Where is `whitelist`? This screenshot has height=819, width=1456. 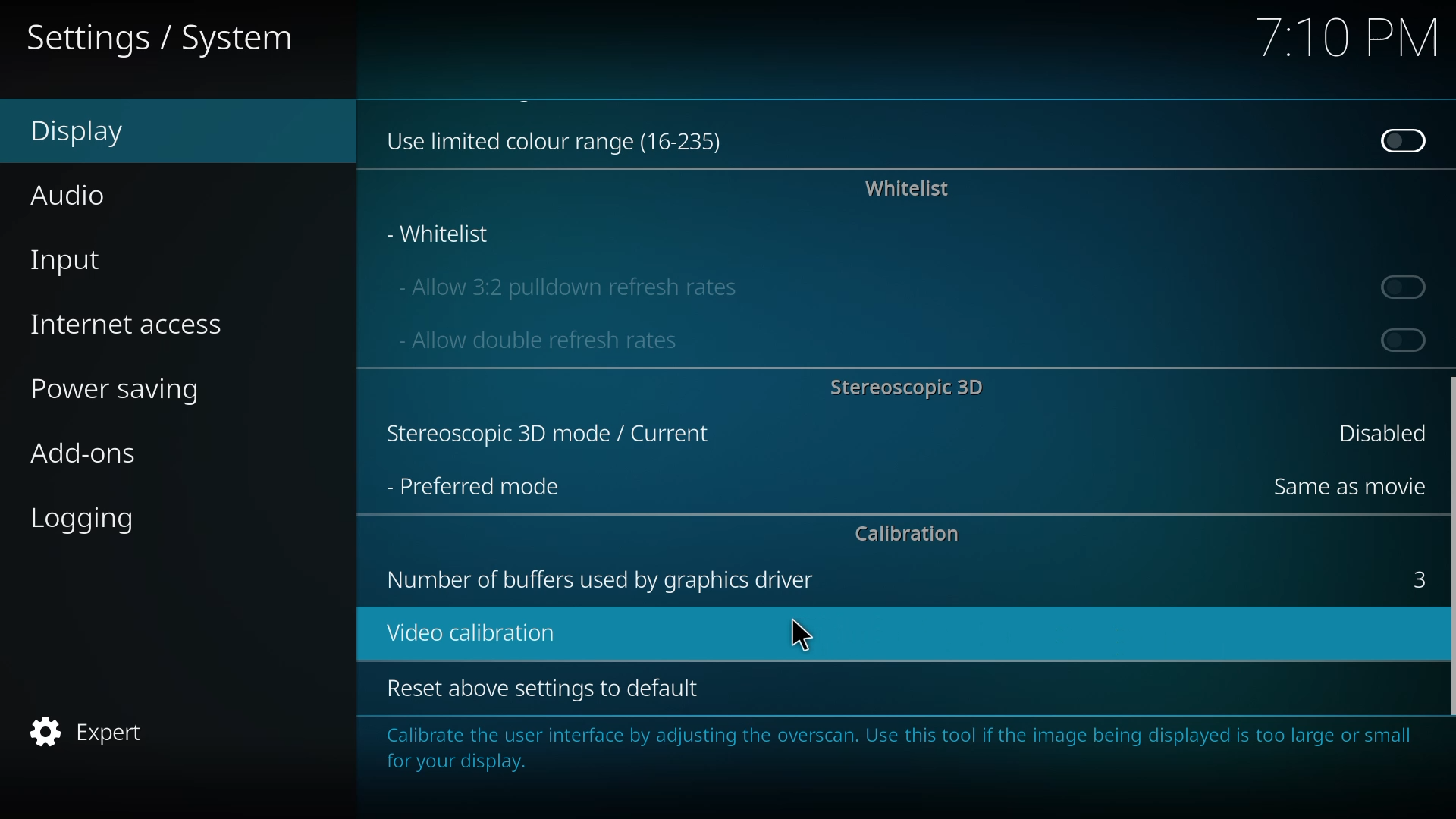
whitelist is located at coordinates (899, 188).